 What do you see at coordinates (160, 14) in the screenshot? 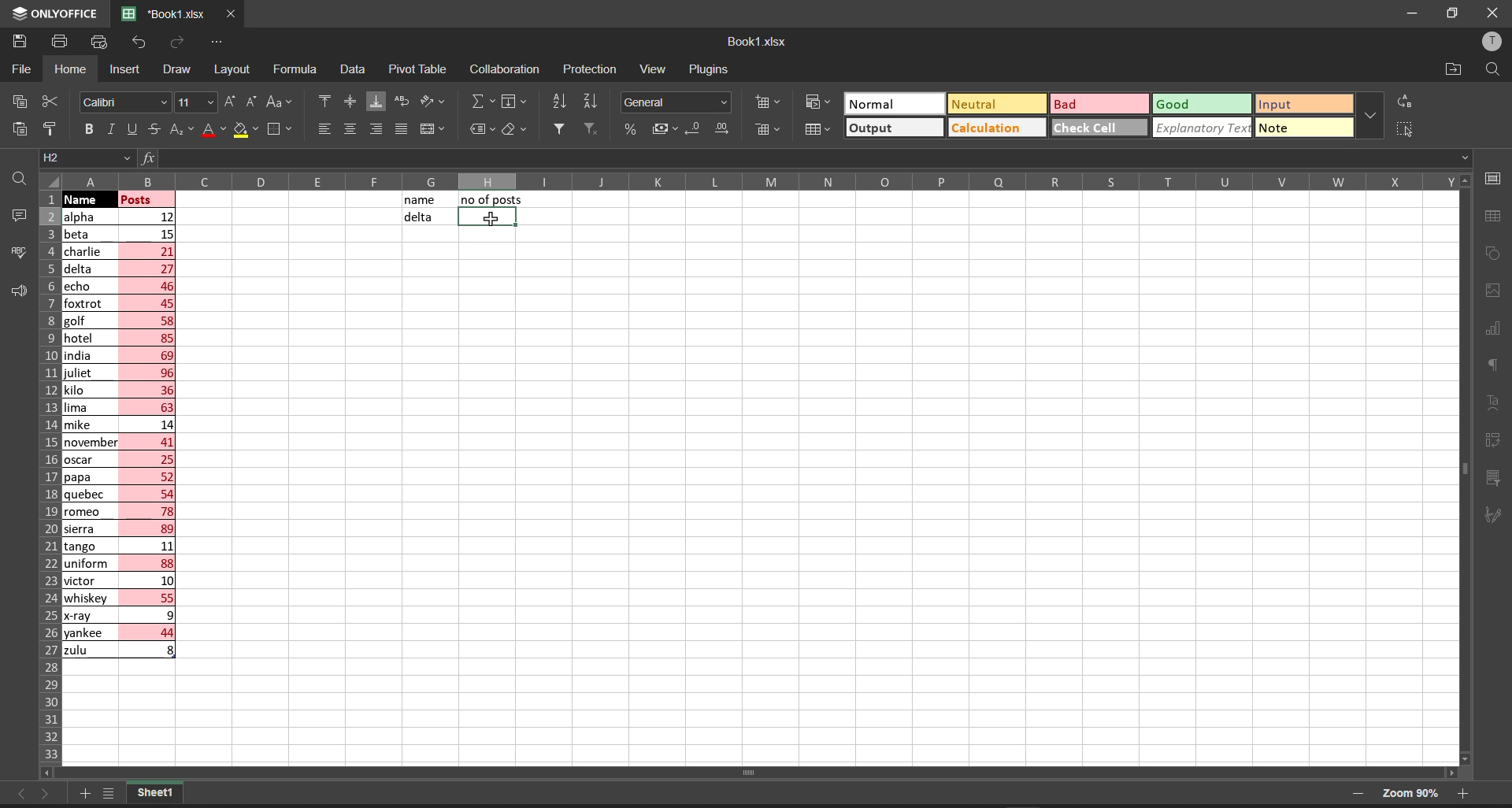
I see `'Book1.xlsx` at bounding box center [160, 14].